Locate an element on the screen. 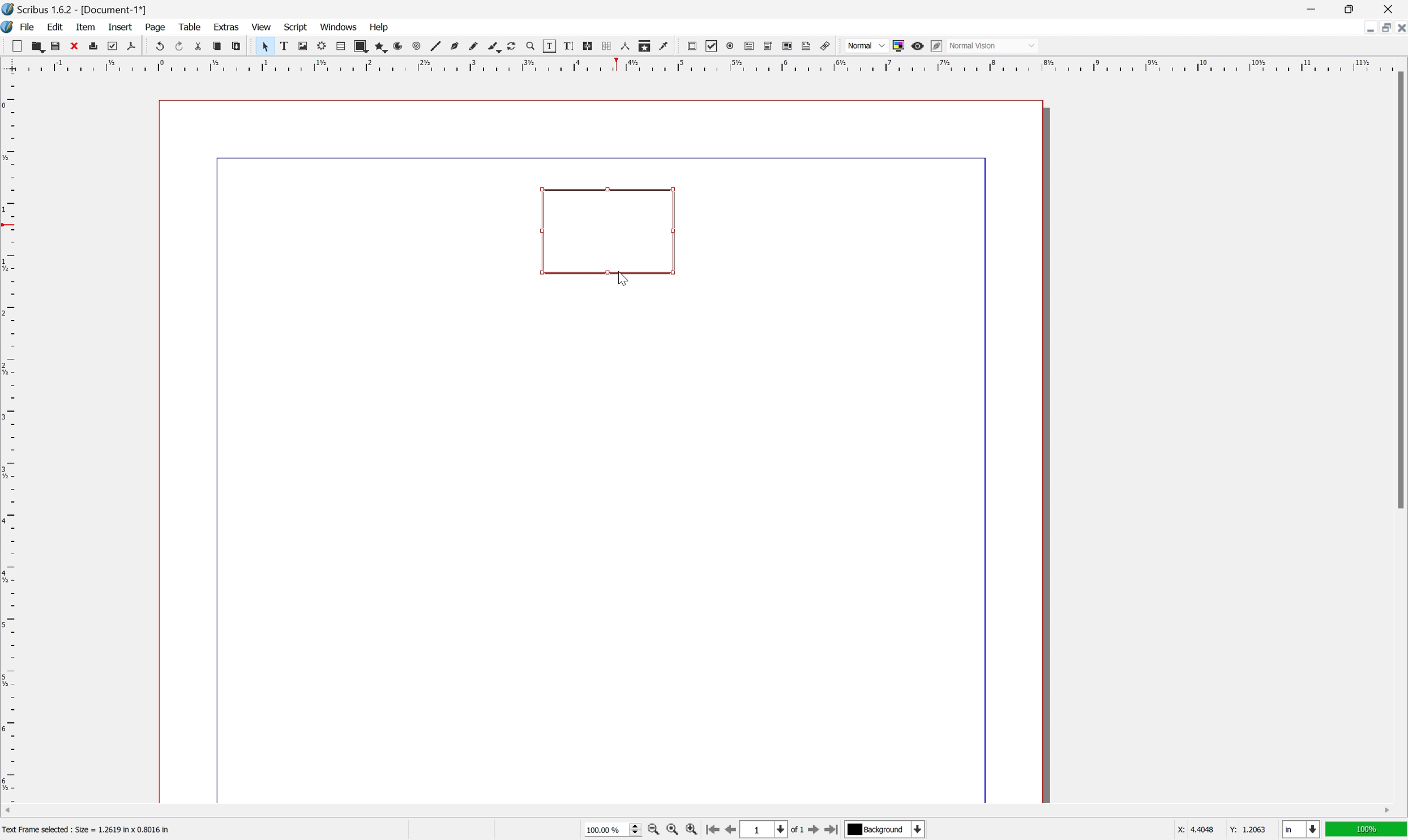 The width and height of the screenshot is (1408, 840). edit contents of frame is located at coordinates (550, 45).